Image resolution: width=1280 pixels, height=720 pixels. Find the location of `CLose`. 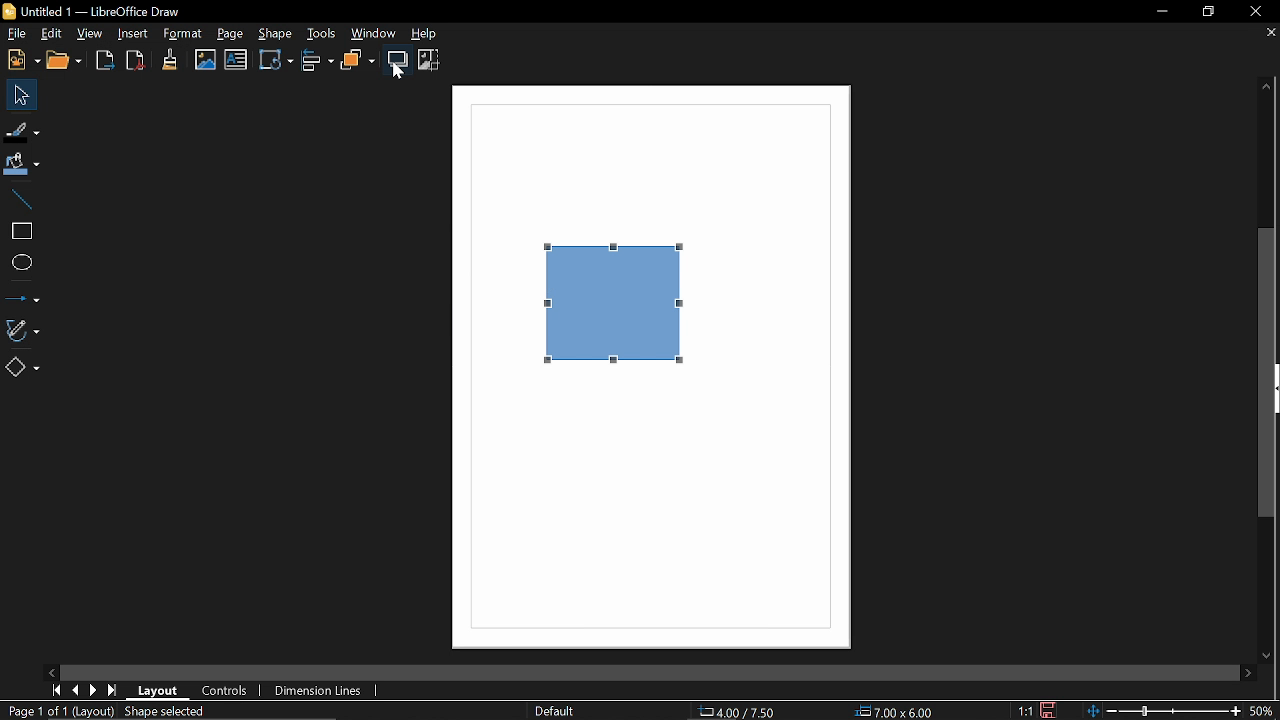

CLose is located at coordinates (1256, 12).